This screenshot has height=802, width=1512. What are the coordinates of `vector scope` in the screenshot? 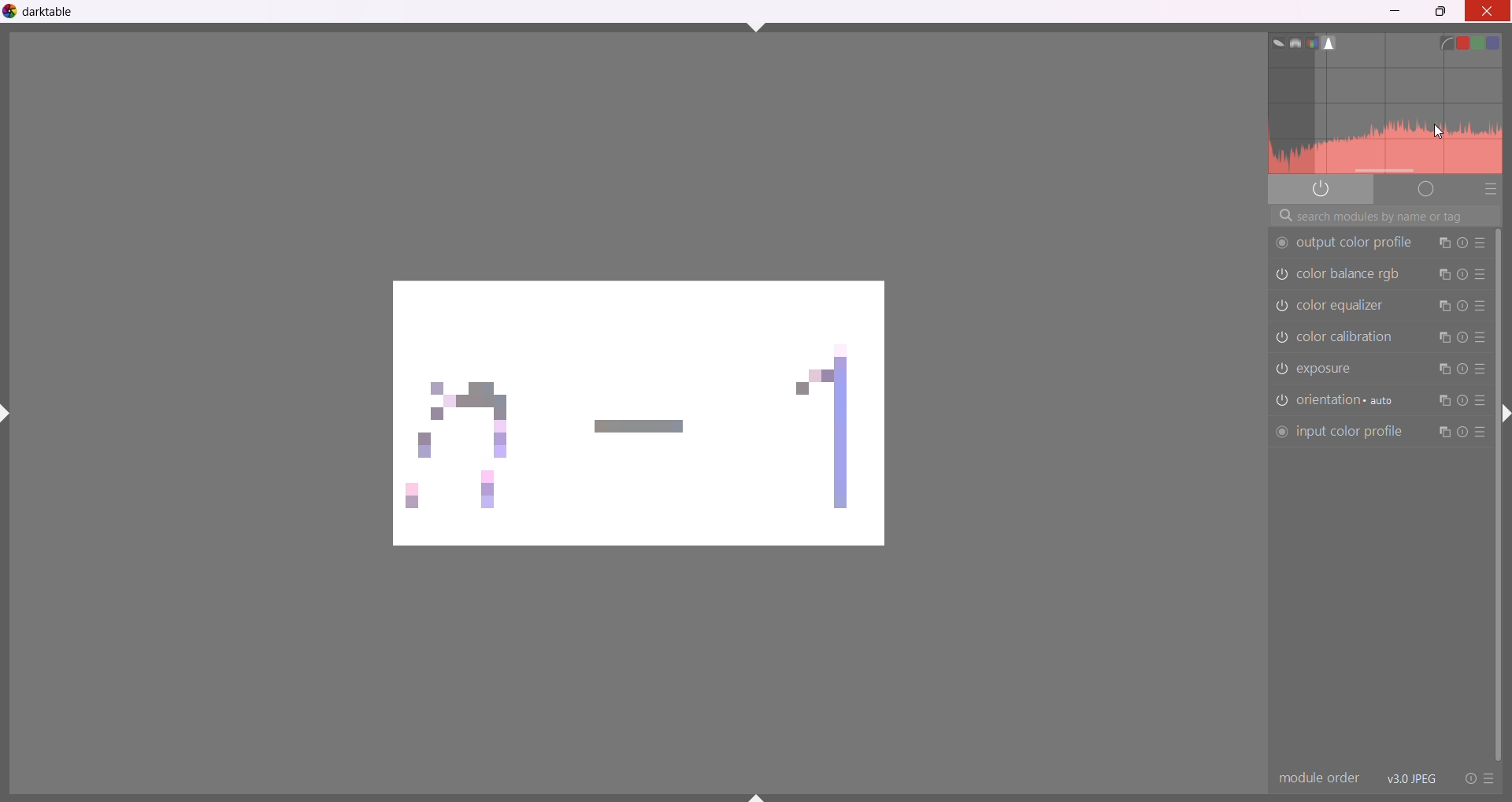 It's located at (1273, 41).